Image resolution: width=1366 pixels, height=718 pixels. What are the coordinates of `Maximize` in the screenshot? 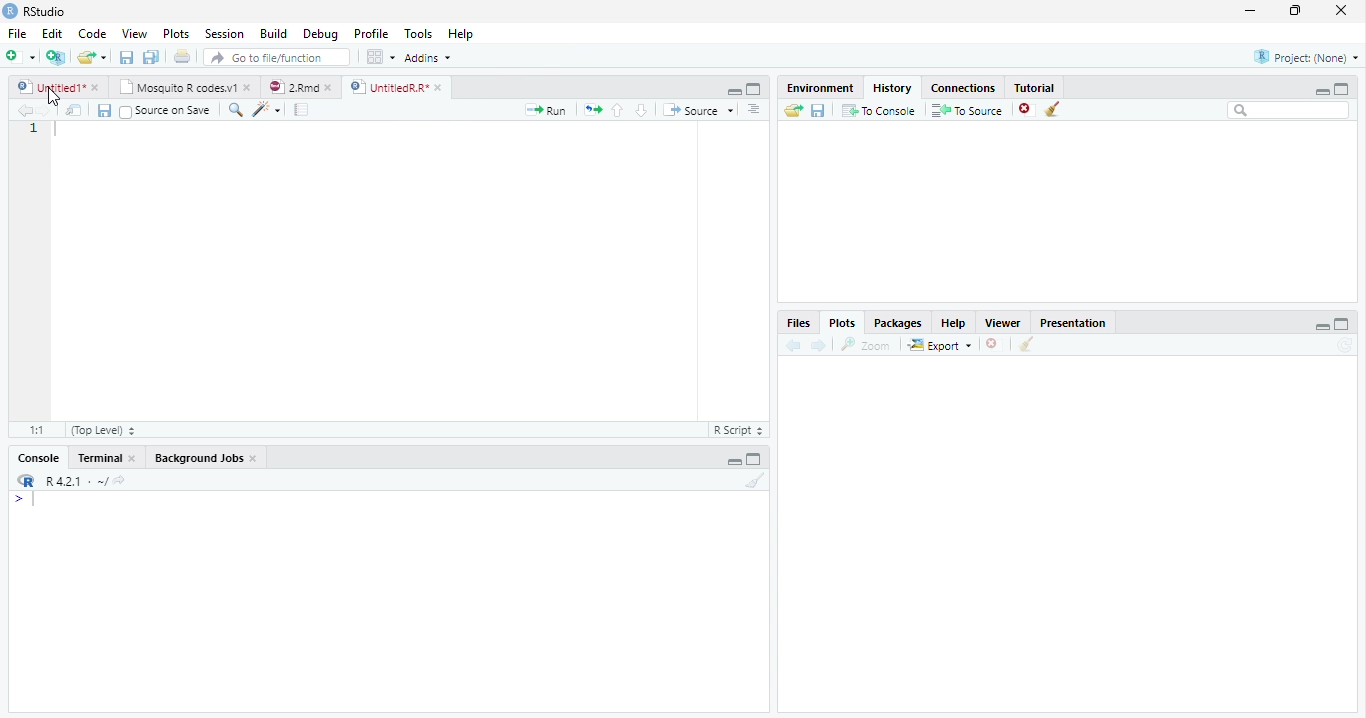 It's located at (1342, 325).